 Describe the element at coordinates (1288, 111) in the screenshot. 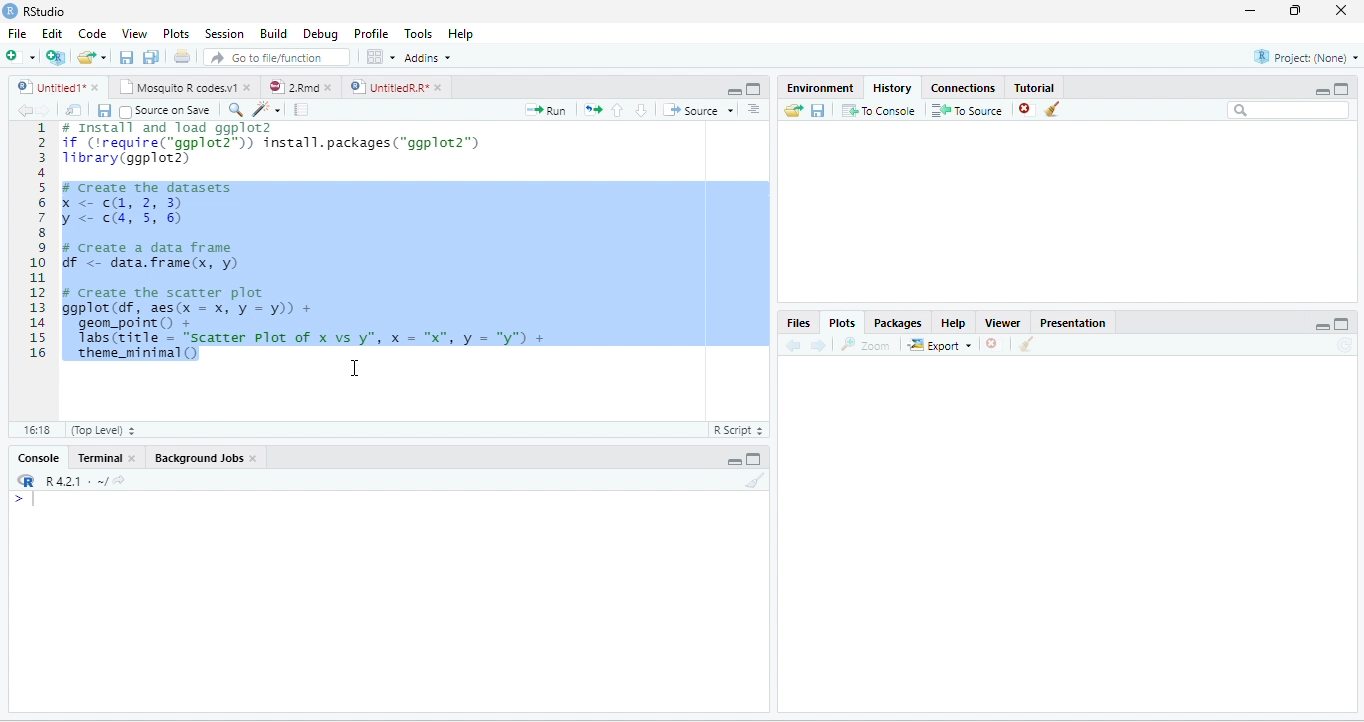

I see `Search bar` at that location.